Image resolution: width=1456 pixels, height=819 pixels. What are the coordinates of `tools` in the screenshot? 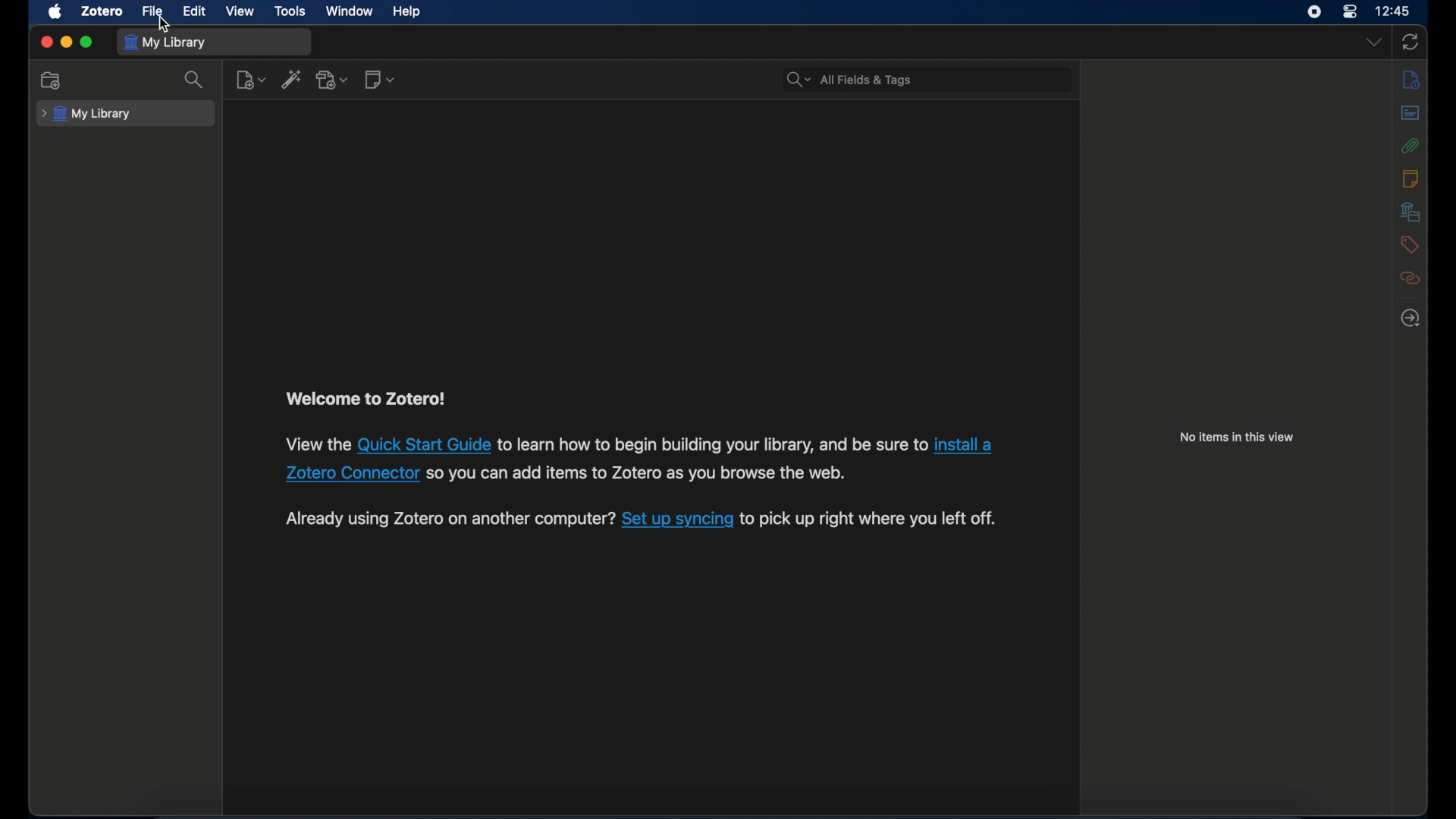 It's located at (290, 11).